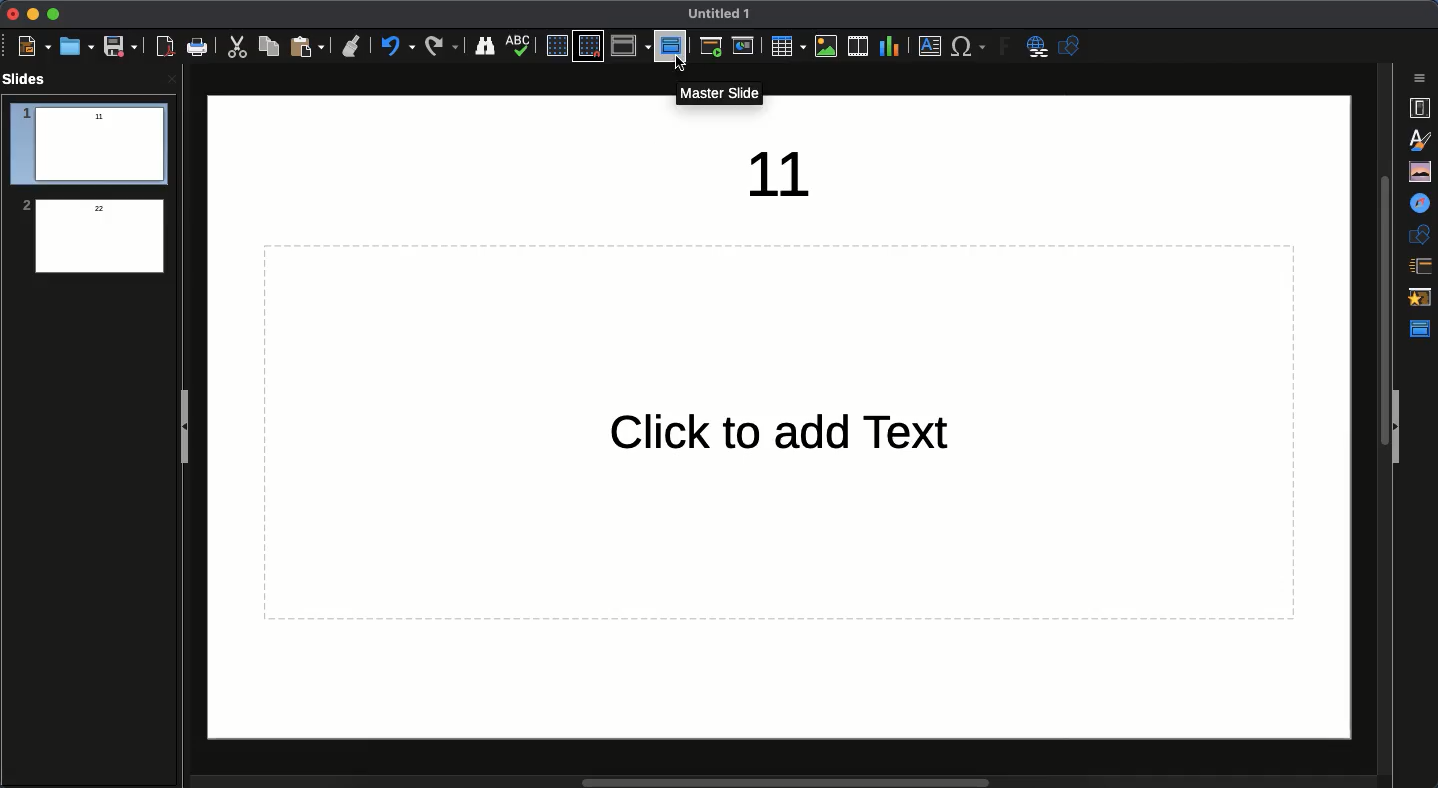  I want to click on Text, so click(785, 436).